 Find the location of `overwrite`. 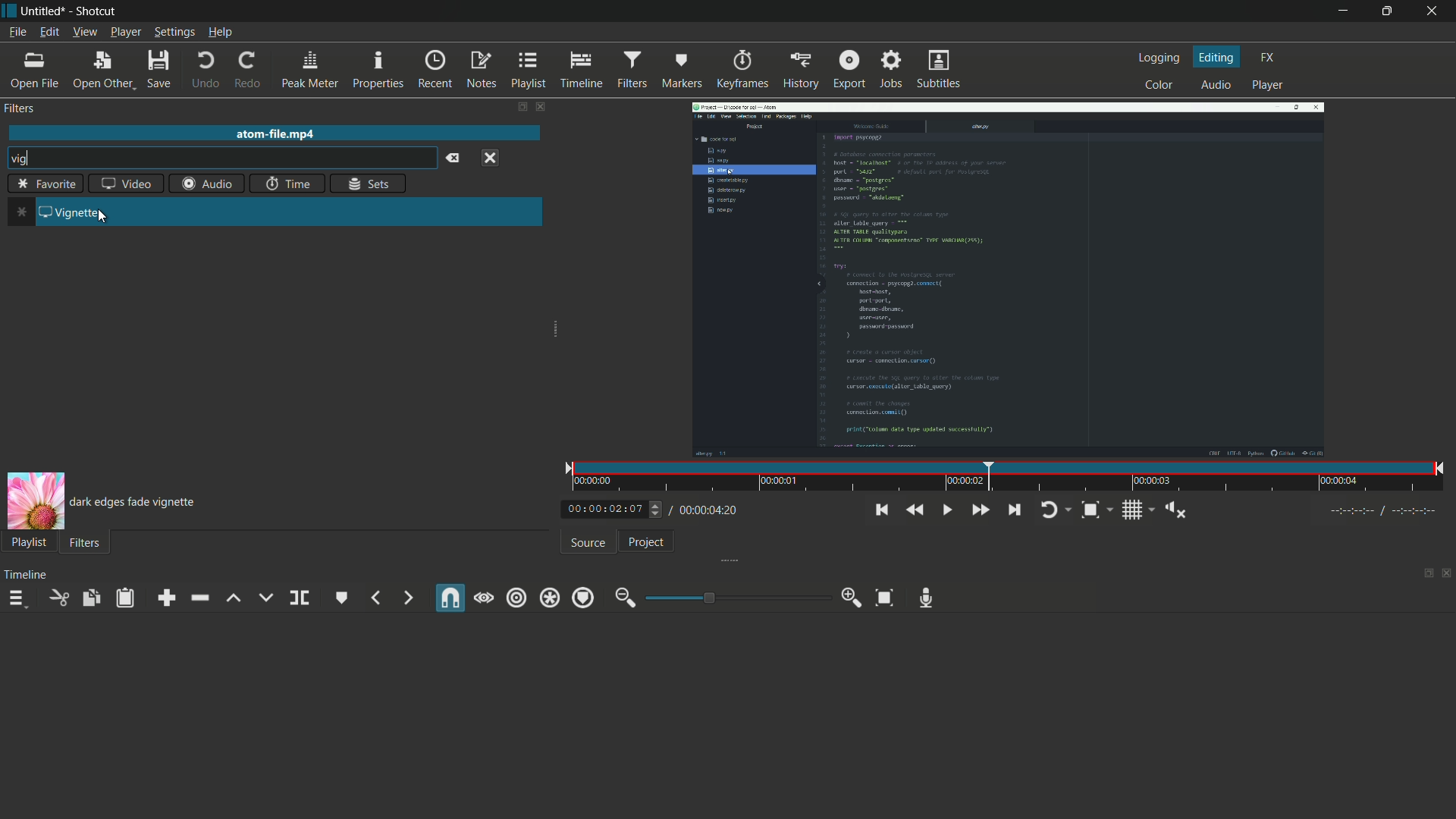

overwrite is located at coordinates (265, 597).